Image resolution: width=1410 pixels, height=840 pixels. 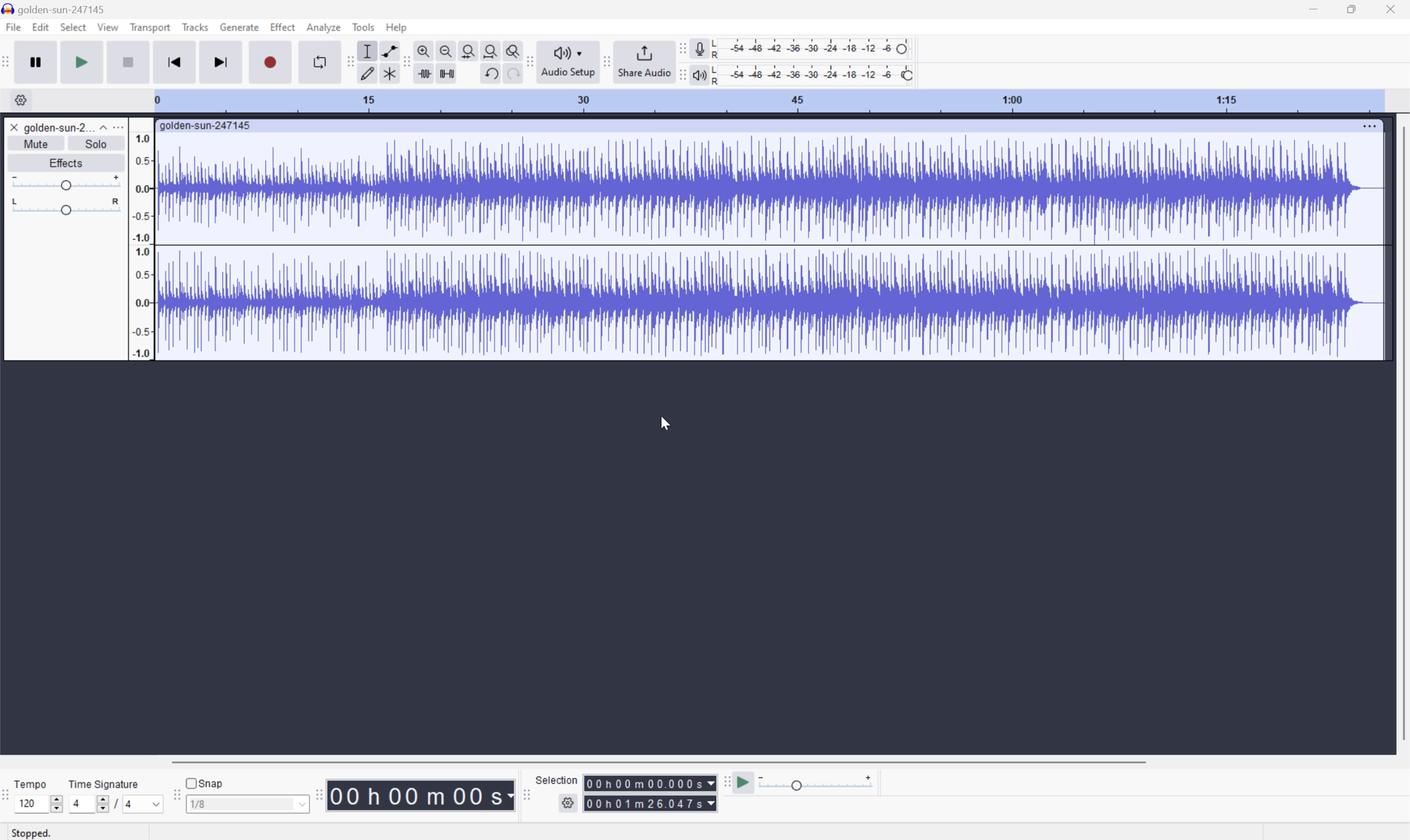 I want to click on Tracks, so click(x=196, y=26).